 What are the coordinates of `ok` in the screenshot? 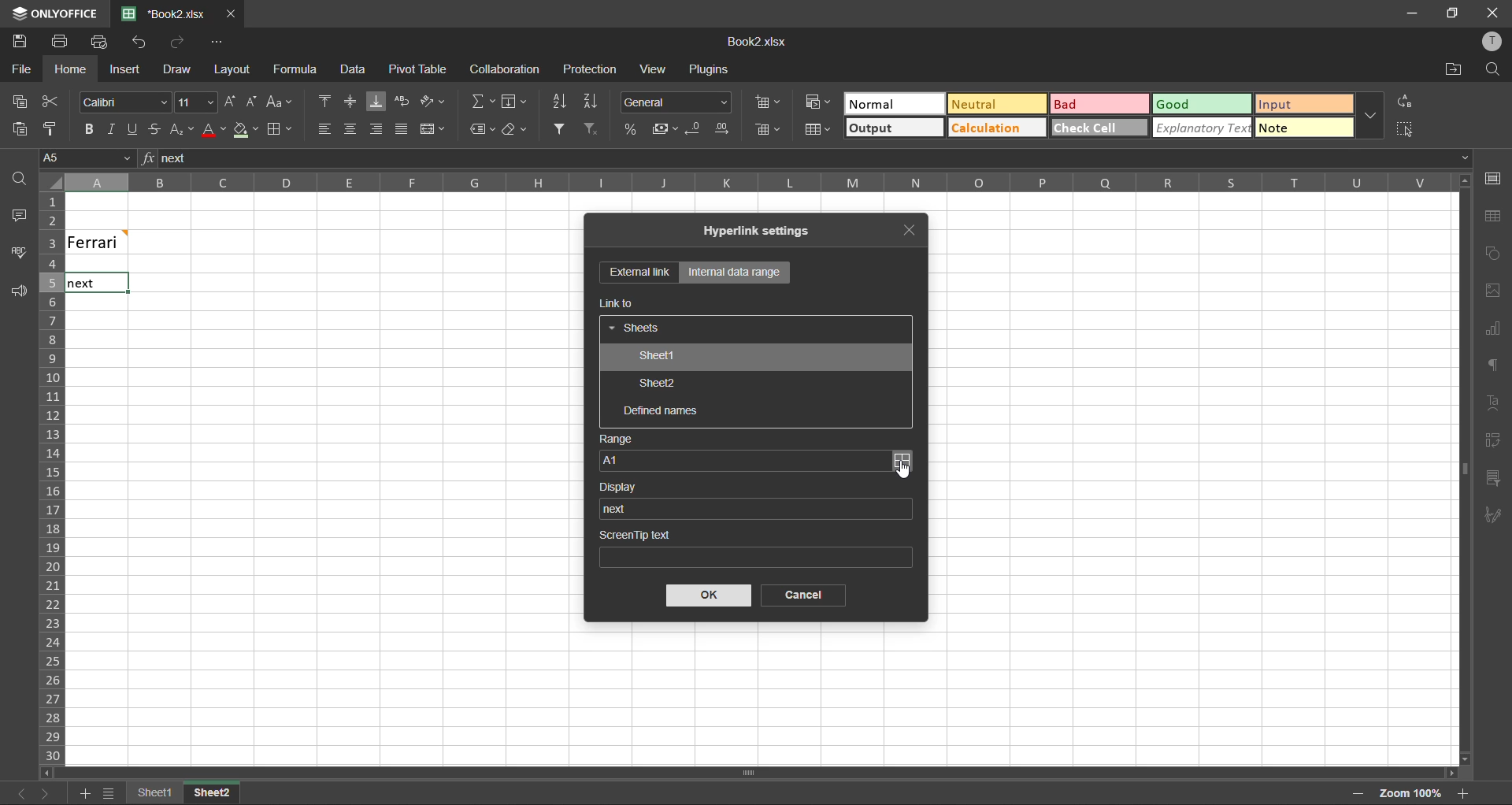 It's located at (710, 595).